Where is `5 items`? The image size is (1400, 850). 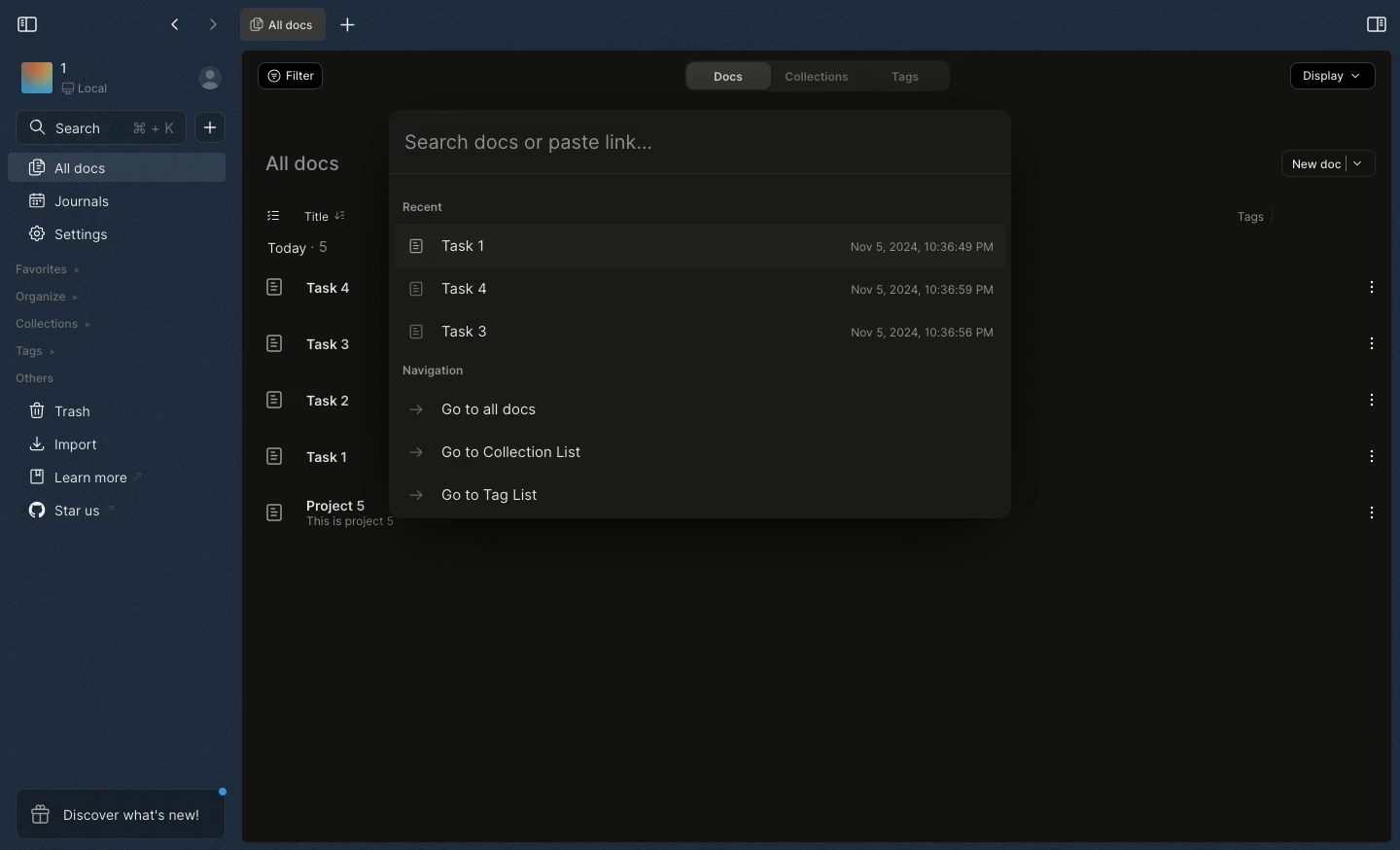 5 items is located at coordinates (323, 245).